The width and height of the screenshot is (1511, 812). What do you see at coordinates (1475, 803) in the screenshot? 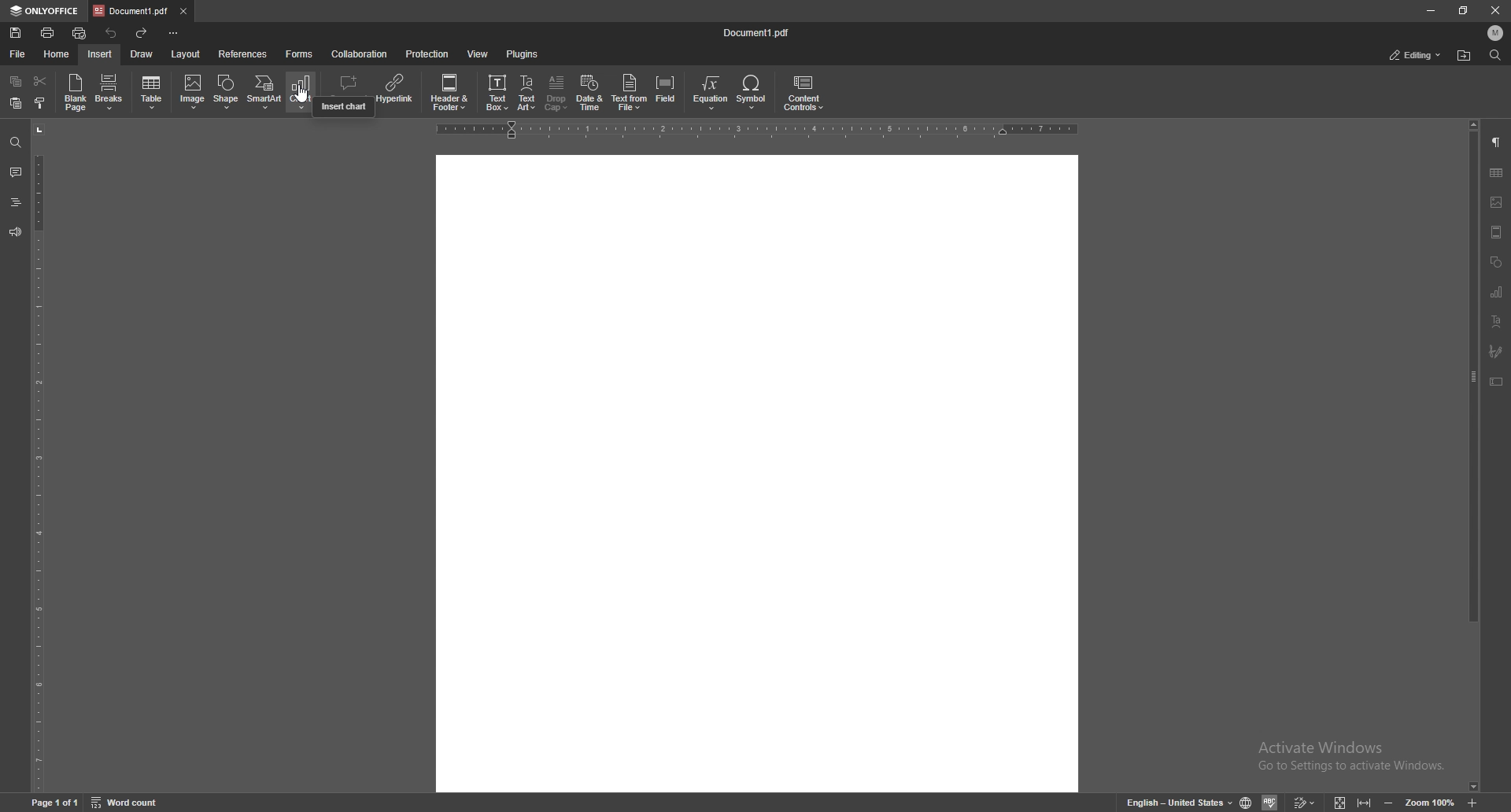
I see `zoom in` at bounding box center [1475, 803].